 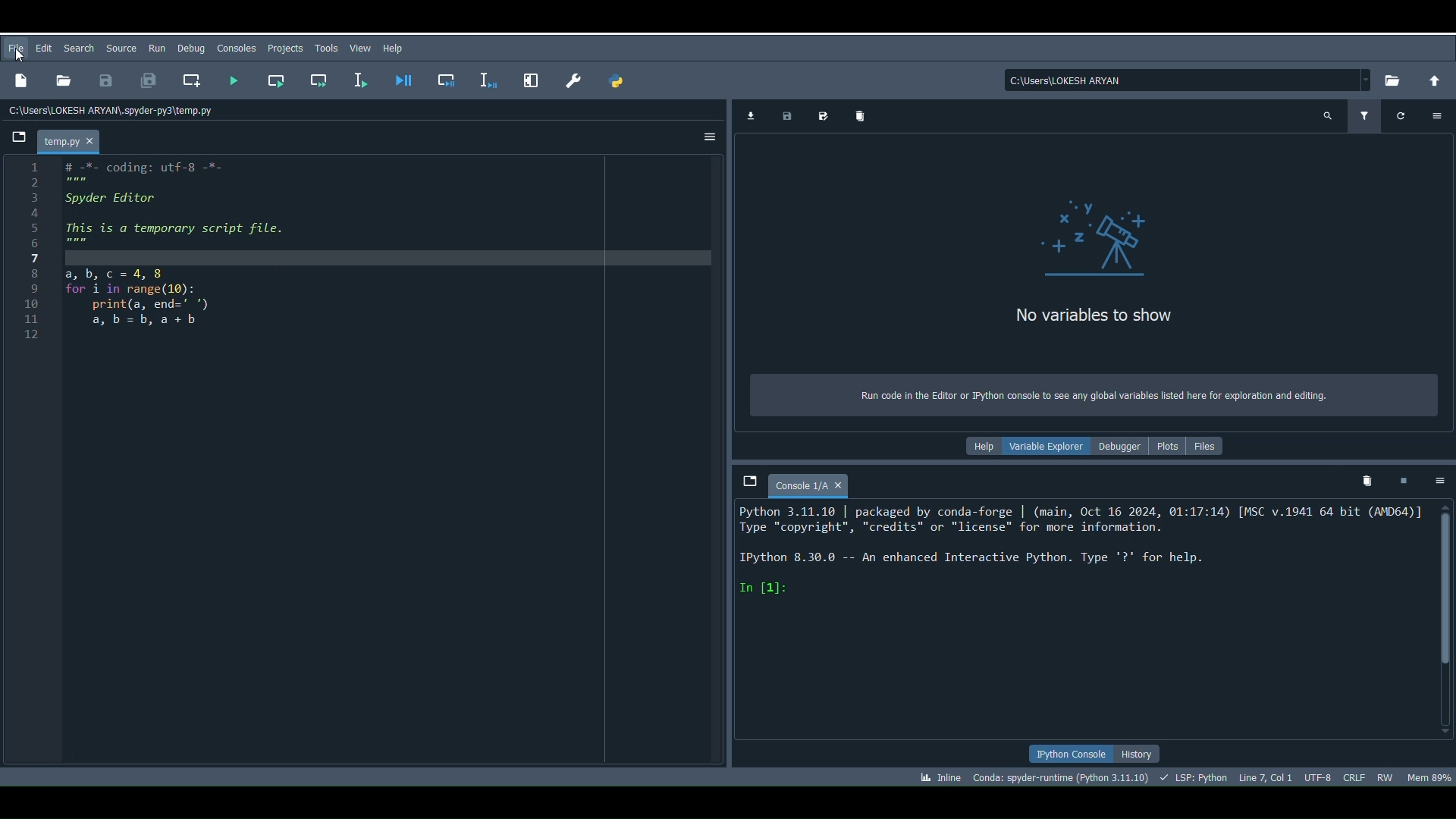 I want to click on Debug, so click(x=192, y=47).